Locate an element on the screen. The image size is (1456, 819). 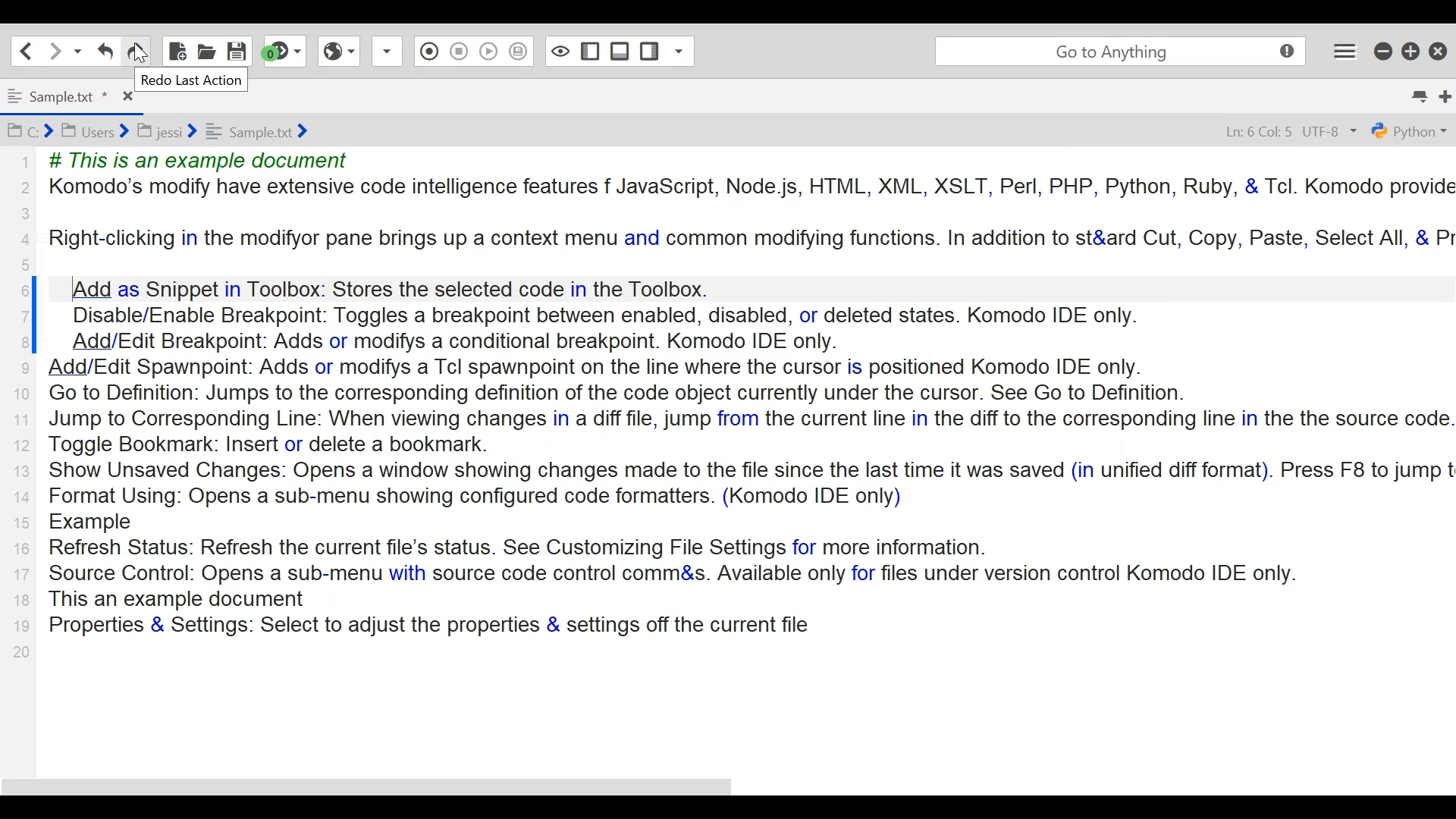
Restore is located at coordinates (1411, 51).